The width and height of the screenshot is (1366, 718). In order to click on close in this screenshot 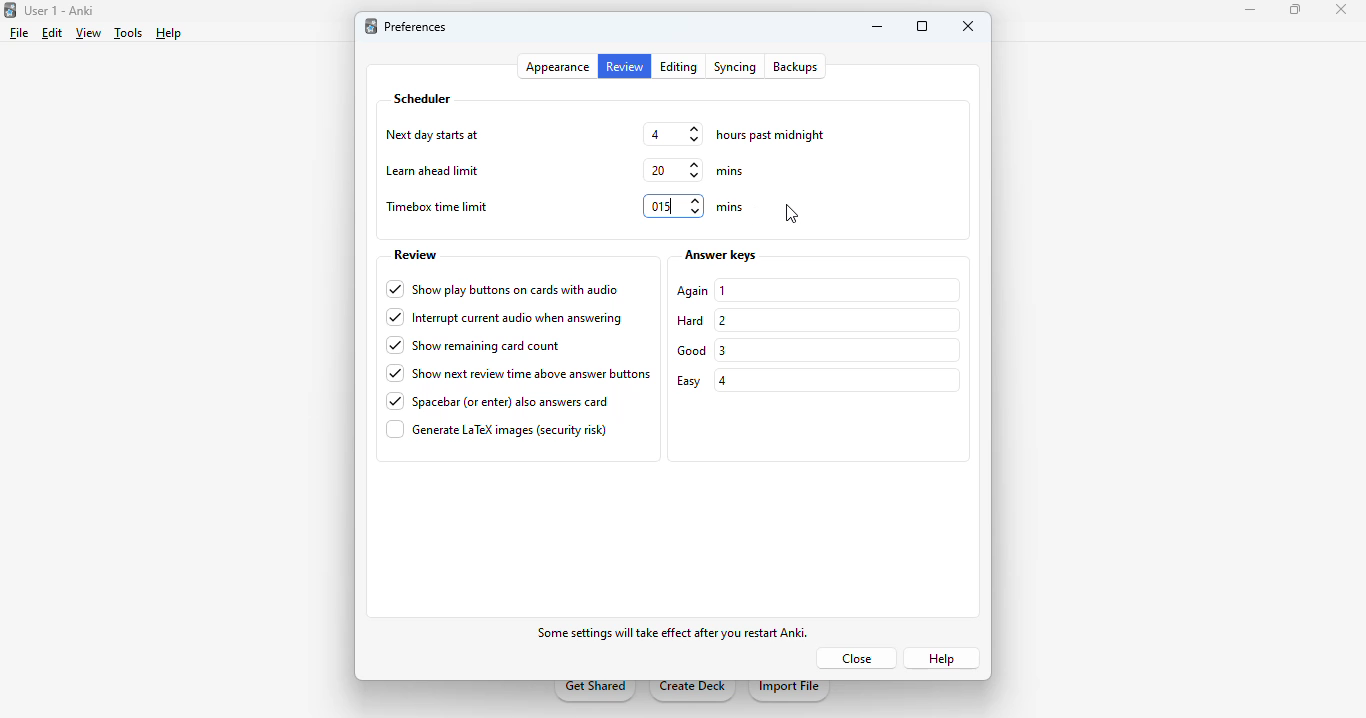, I will do `click(1341, 12)`.